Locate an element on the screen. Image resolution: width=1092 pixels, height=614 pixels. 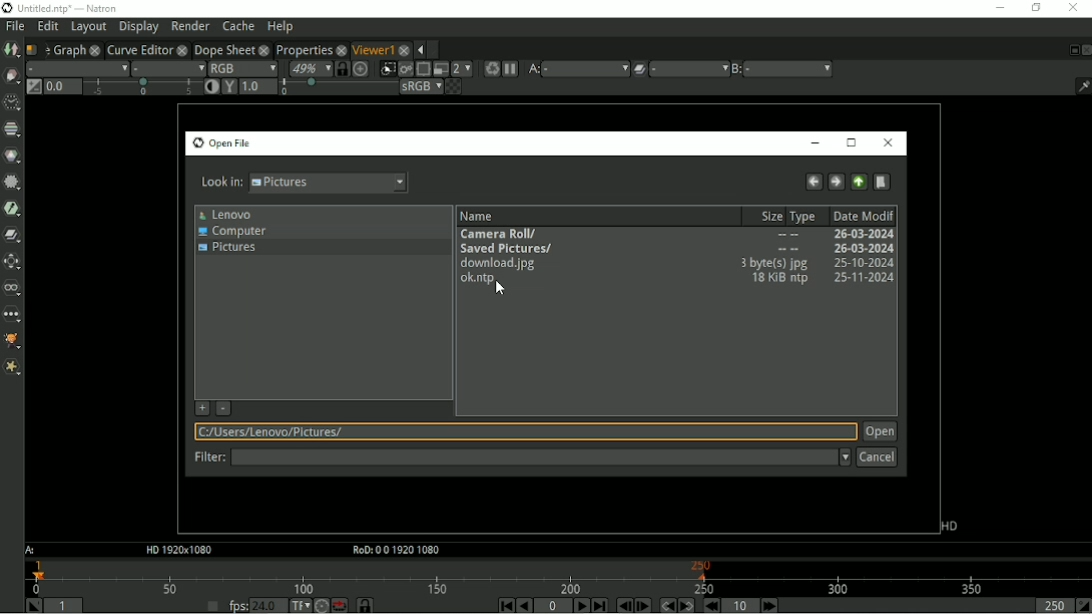
Open is located at coordinates (880, 431).